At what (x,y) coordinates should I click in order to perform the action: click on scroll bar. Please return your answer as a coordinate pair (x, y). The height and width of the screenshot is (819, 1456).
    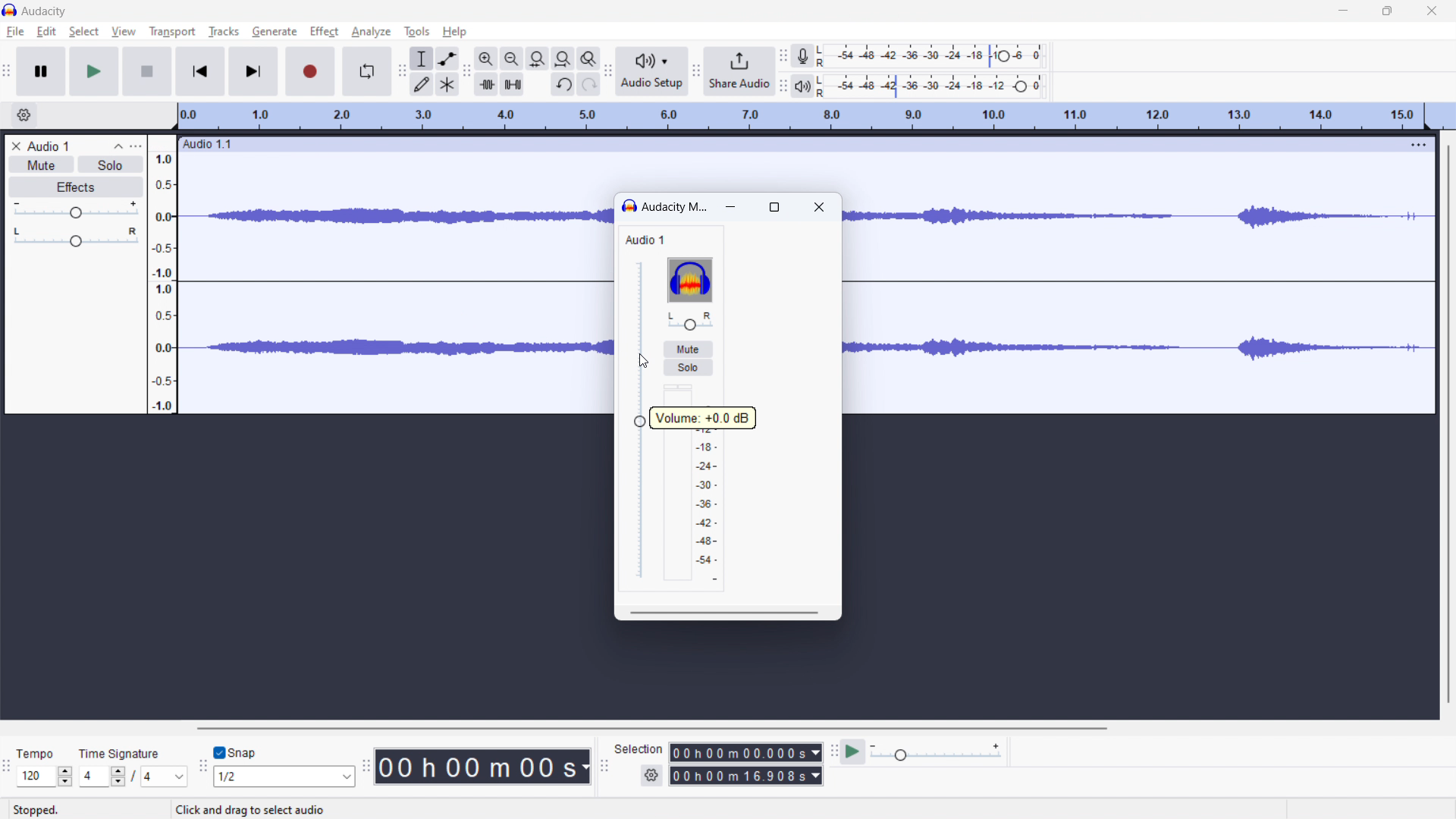
    Looking at the image, I should click on (1436, 350).